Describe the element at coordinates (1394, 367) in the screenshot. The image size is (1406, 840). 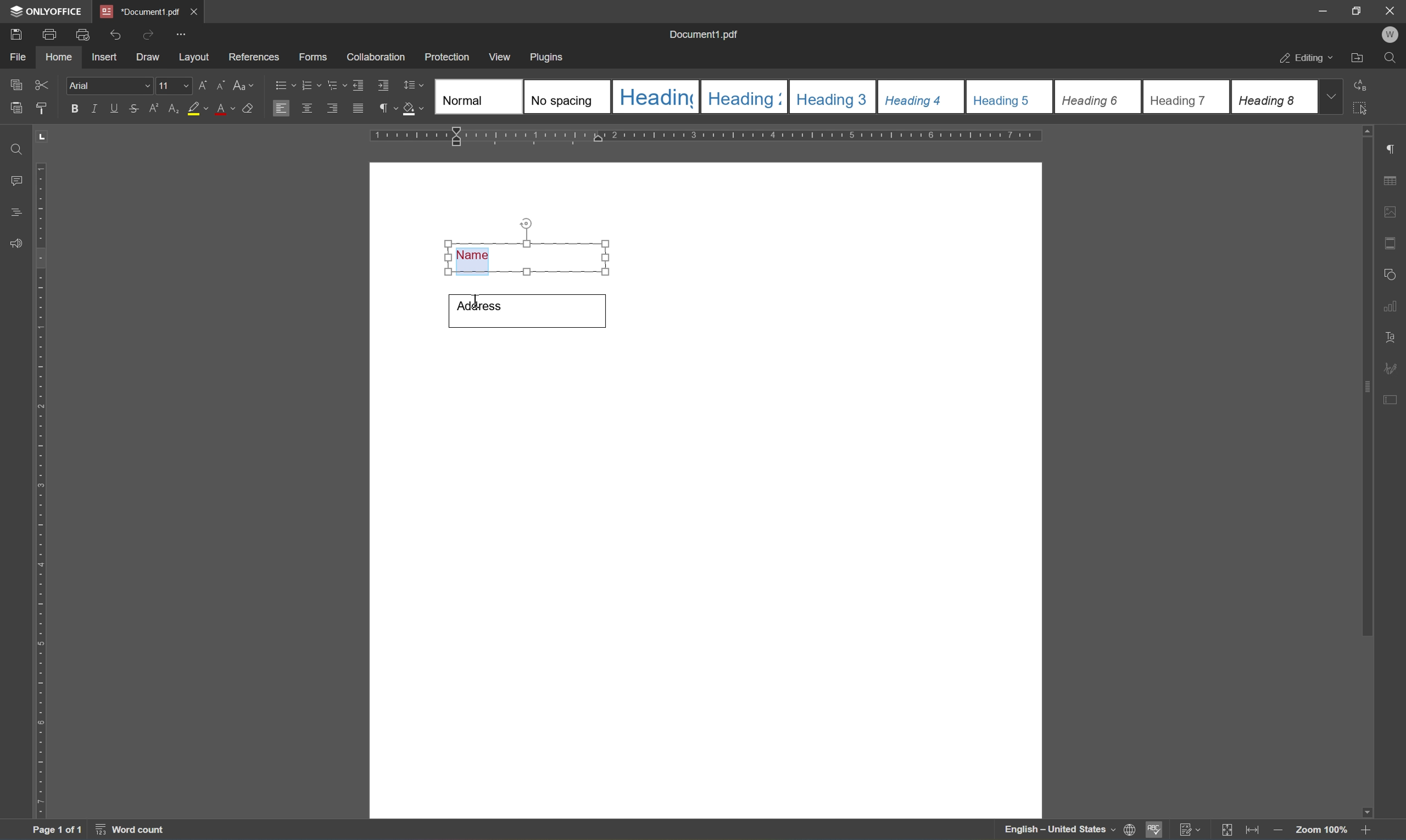
I see `signature settings` at that location.